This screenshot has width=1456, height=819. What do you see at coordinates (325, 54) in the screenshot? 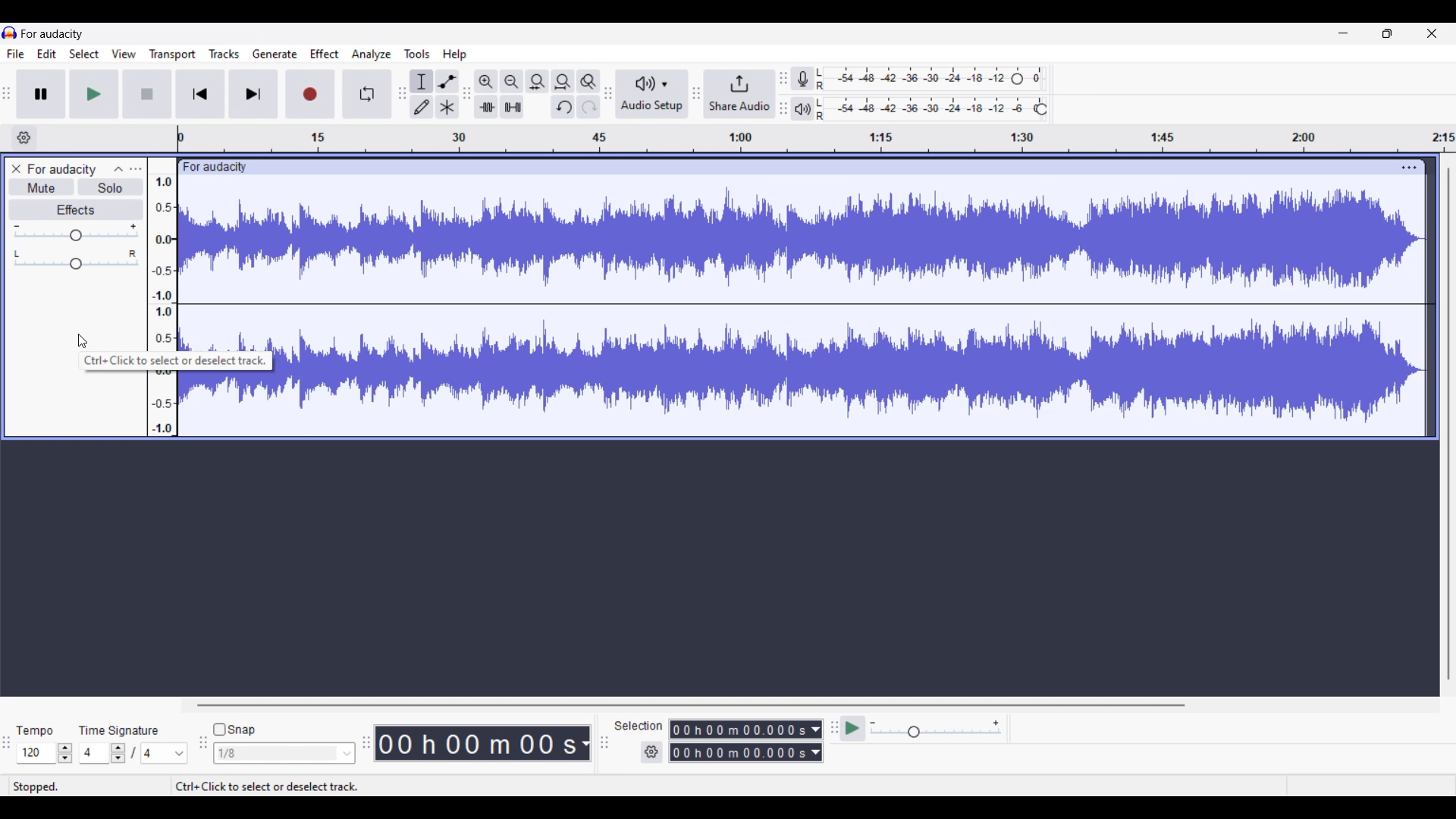
I see `Effect menu` at bounding box center [325, 54].